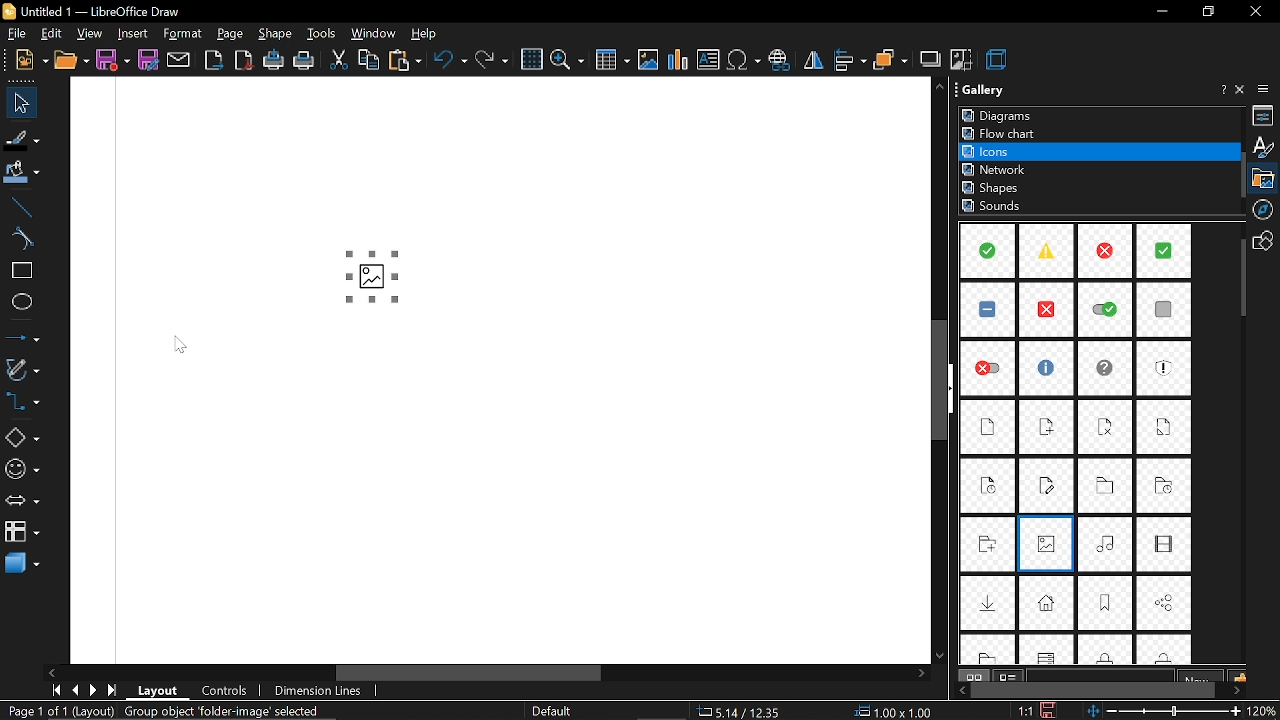 This screenshot has height=720, width=1280. Describe the element at coordinates (894, 712) in the screenshot. I see `0.00x0.00` at that location.